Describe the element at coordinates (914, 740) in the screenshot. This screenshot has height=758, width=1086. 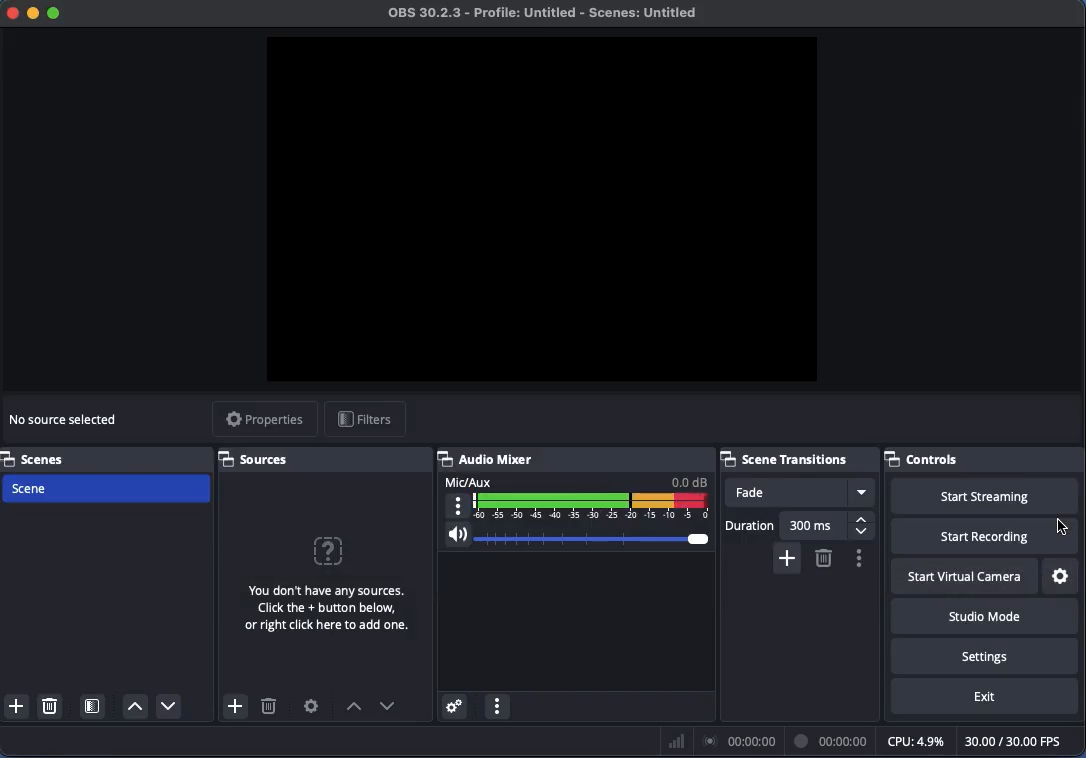
I see `CPU` at that location.